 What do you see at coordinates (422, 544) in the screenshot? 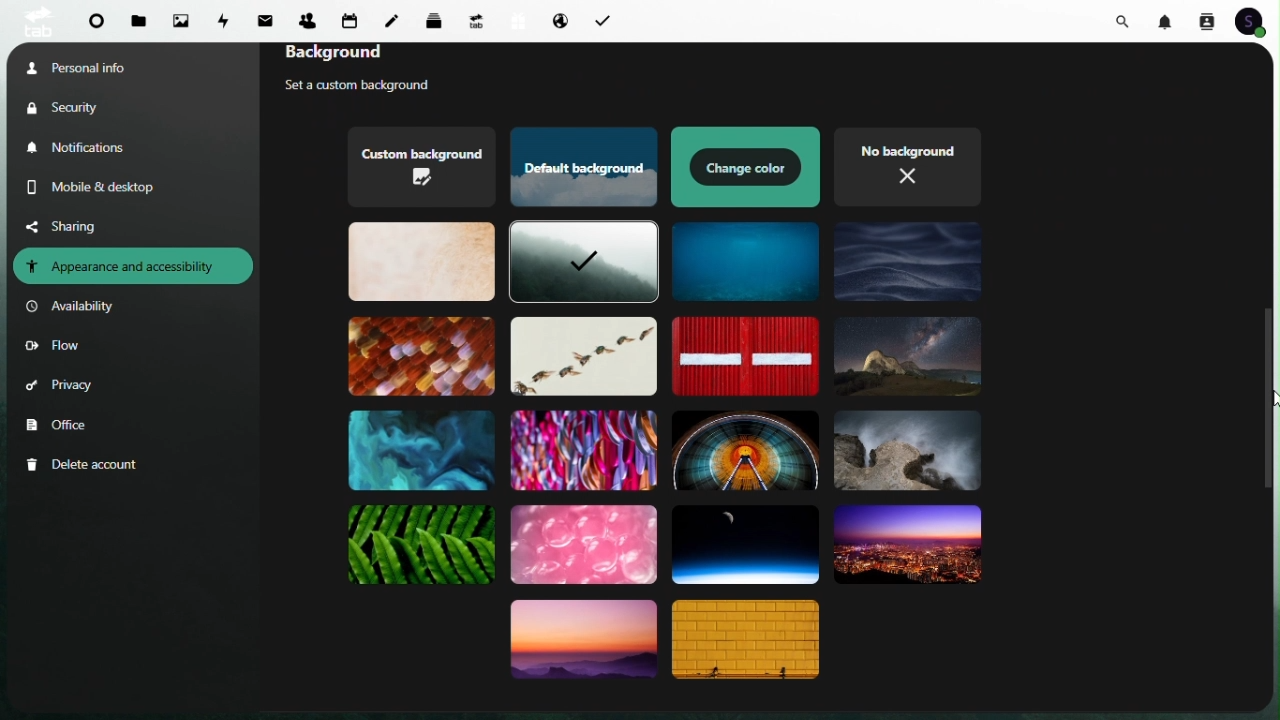
I see `Themes` at bounding box center [422, 544].